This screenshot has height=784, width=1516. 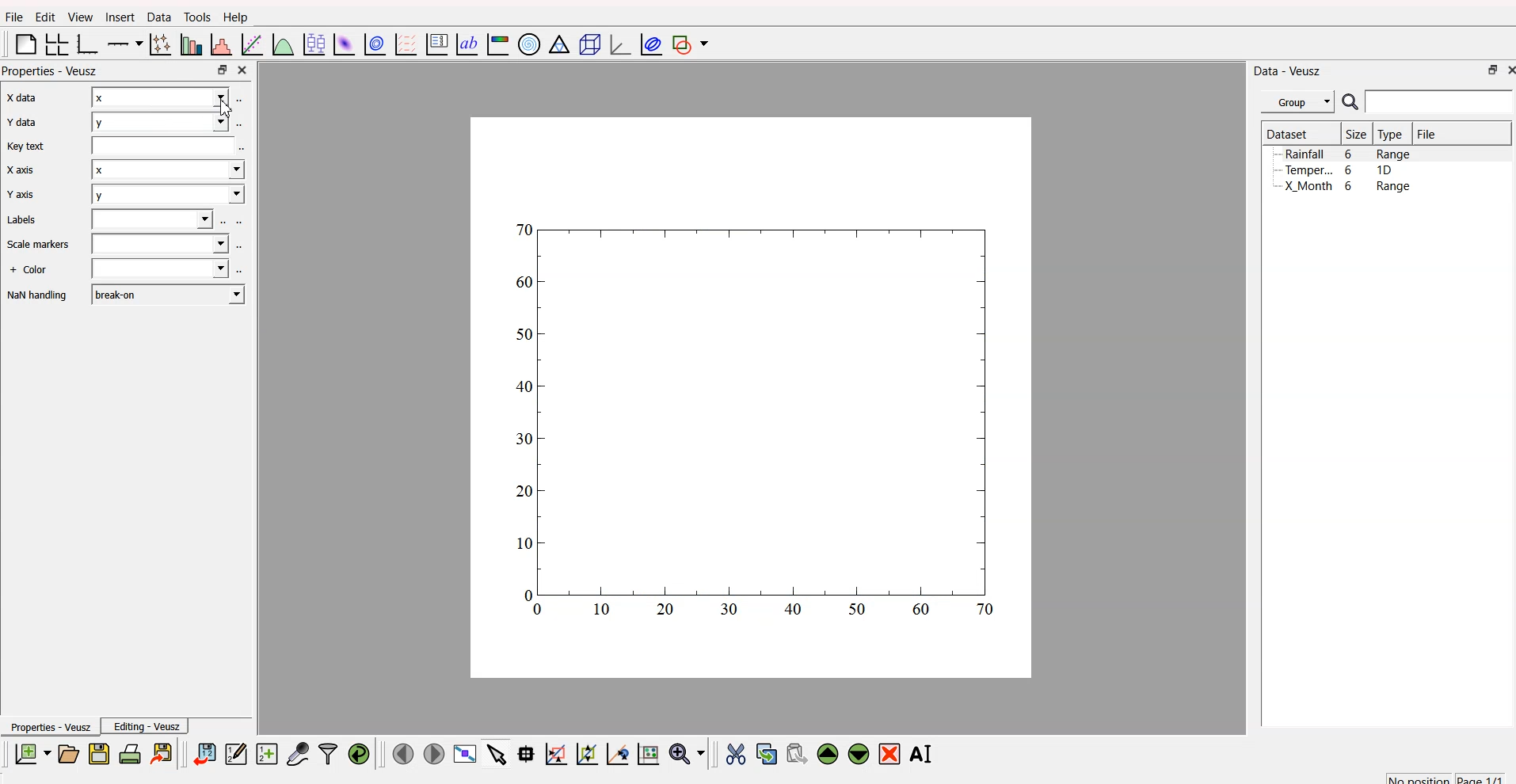 I want to click on close, so click(x=245, y=70).